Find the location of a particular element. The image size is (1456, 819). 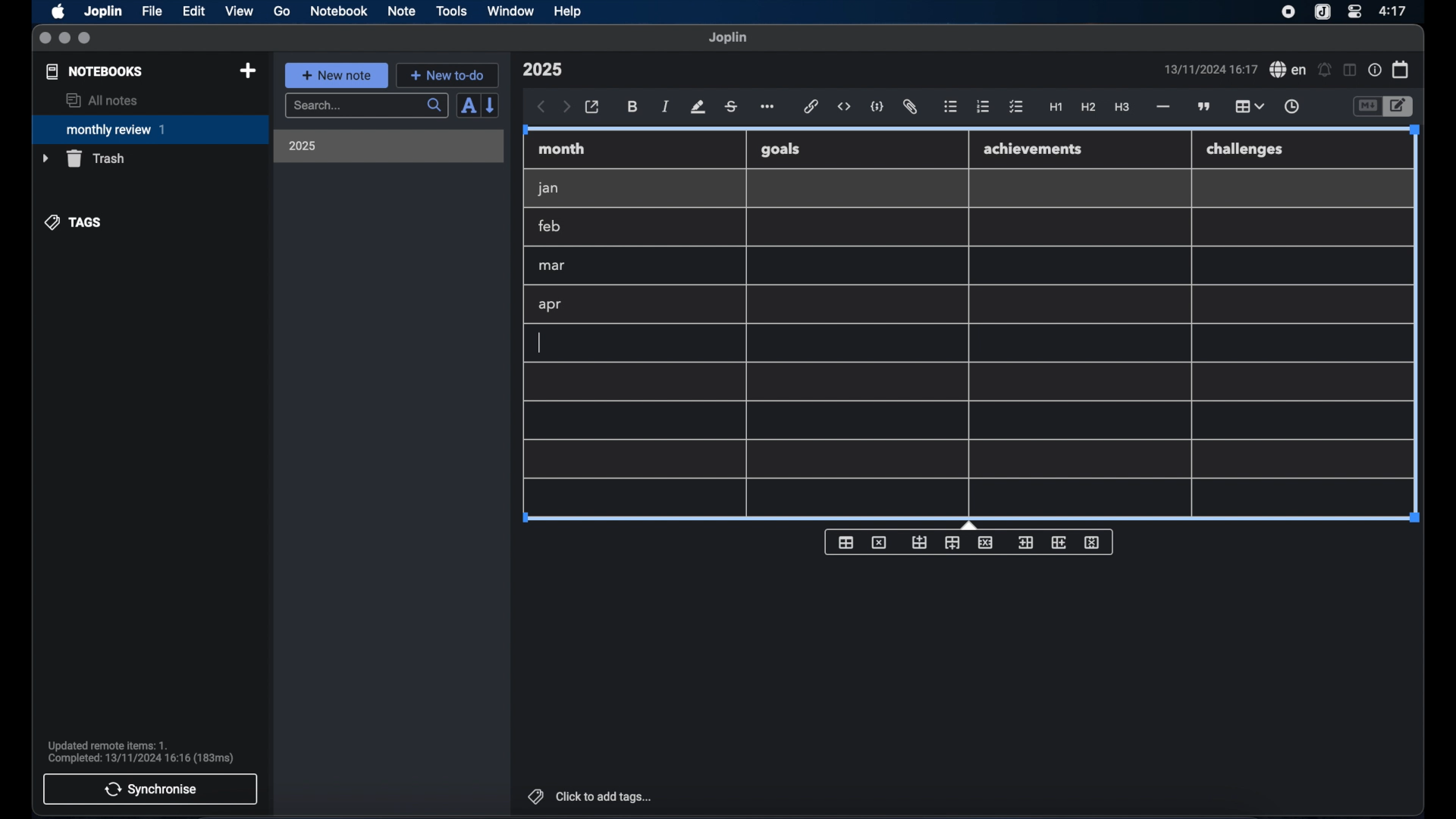

set alarm is located at coordinates (1325, 71).